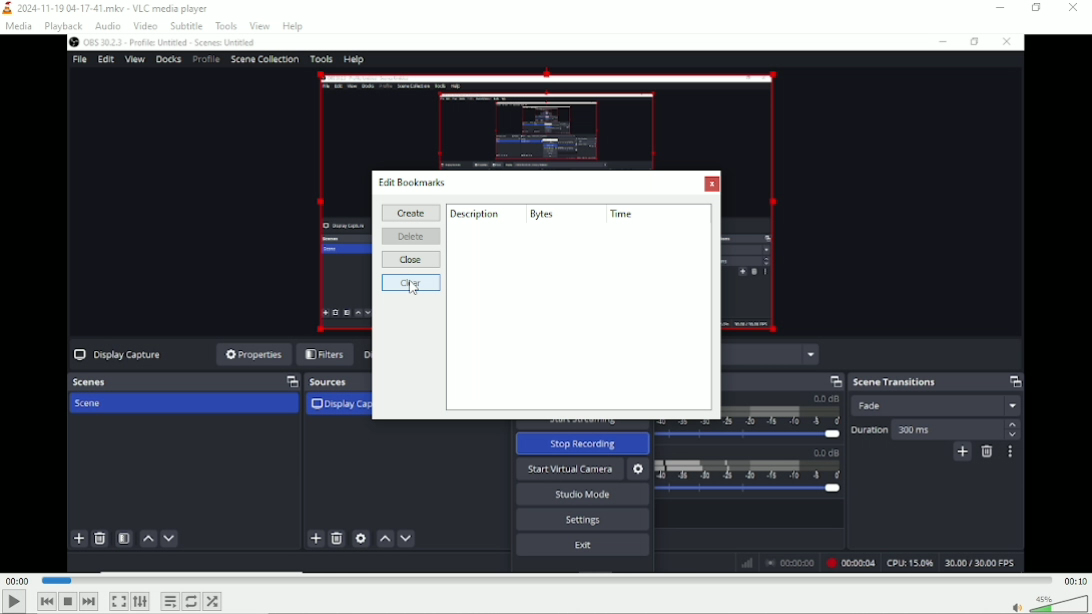 Image resolution: width=1092 pixels, height=614 pixels. I want to click on Delete, so click(410, 237).